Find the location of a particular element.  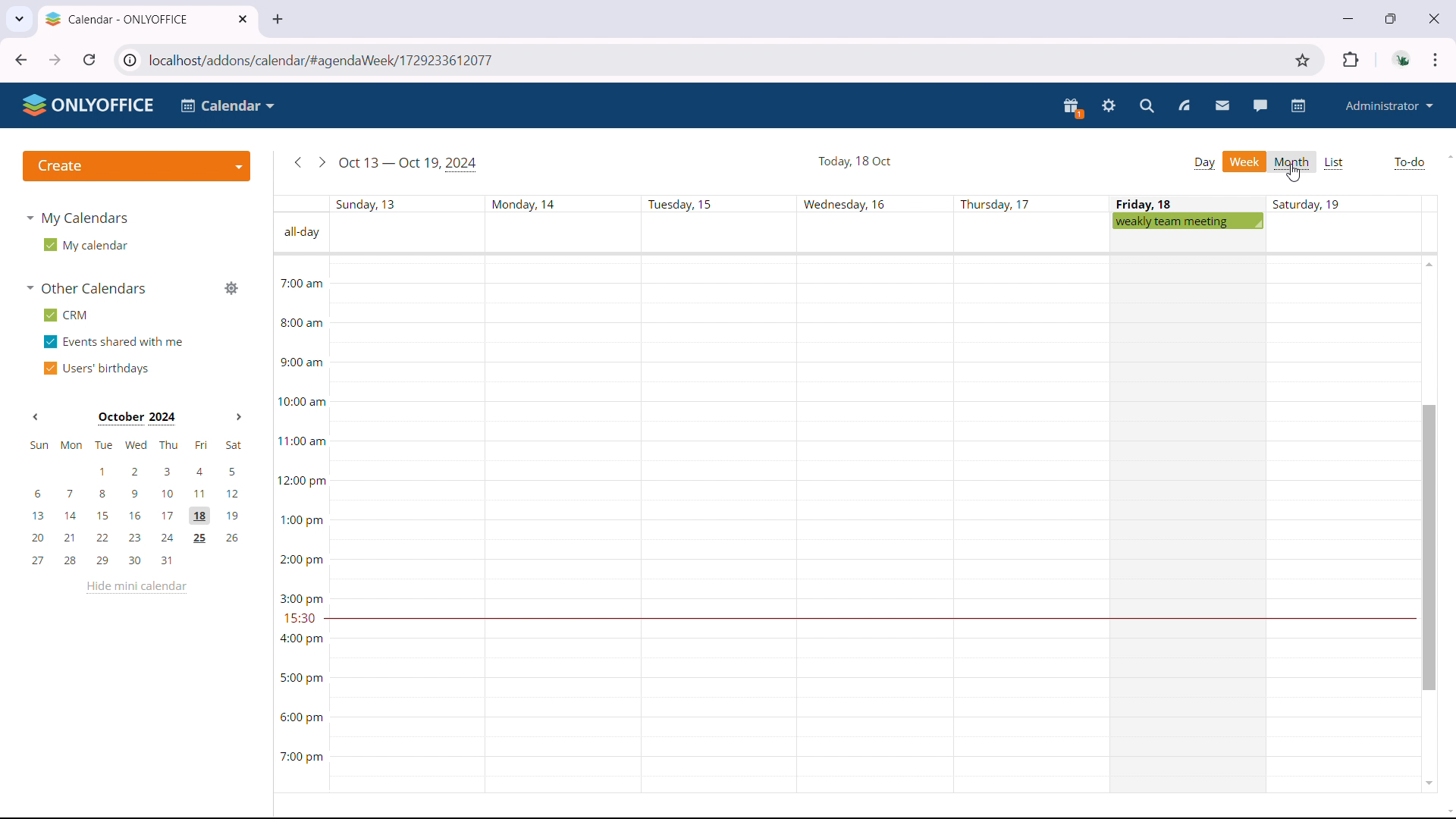

my calendars is located at coordinates (77, 218).